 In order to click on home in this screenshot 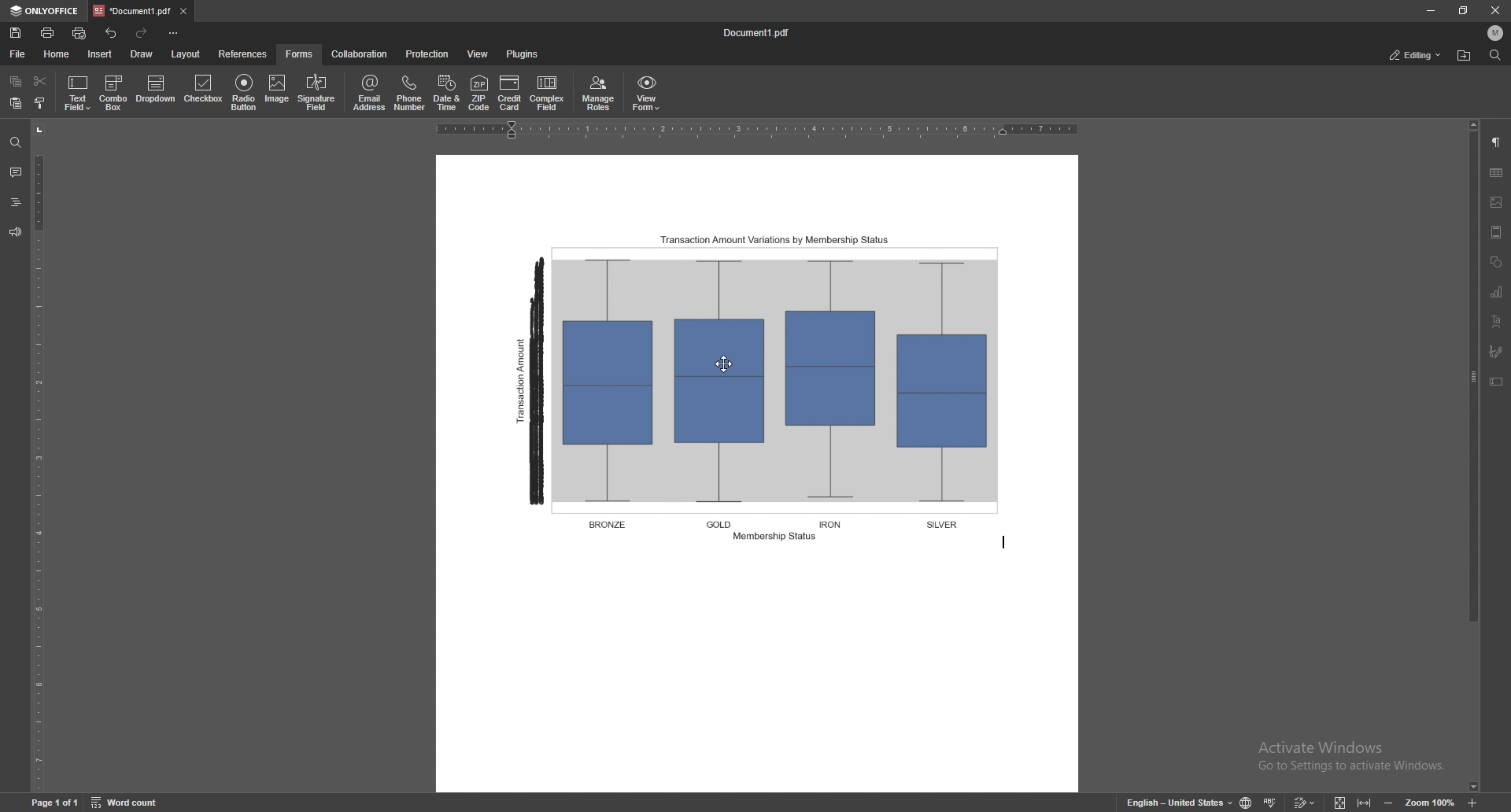, I will do `click(57, 54)`.